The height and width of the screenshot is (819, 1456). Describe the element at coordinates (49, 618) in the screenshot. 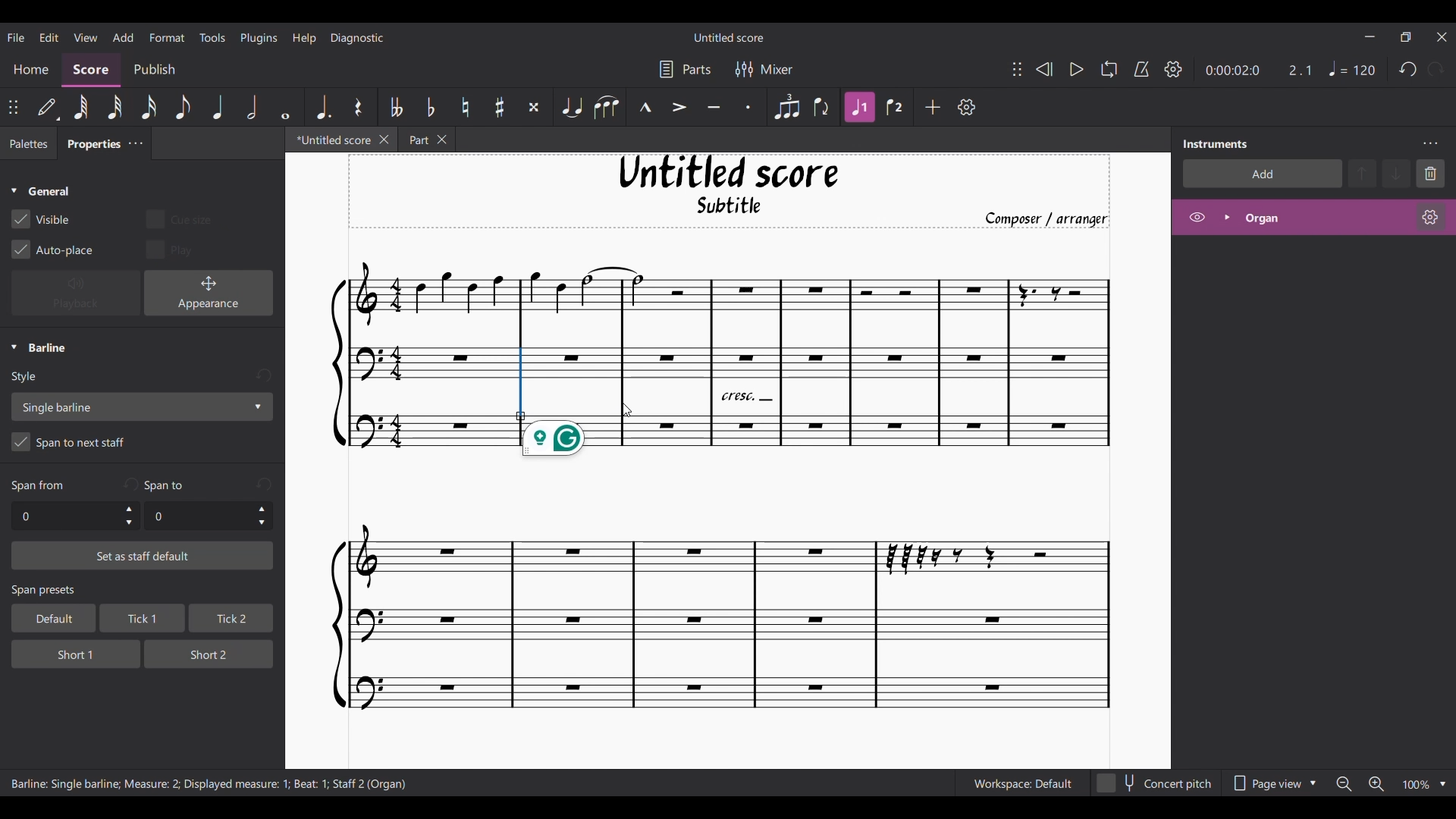

I see `default` at that location.